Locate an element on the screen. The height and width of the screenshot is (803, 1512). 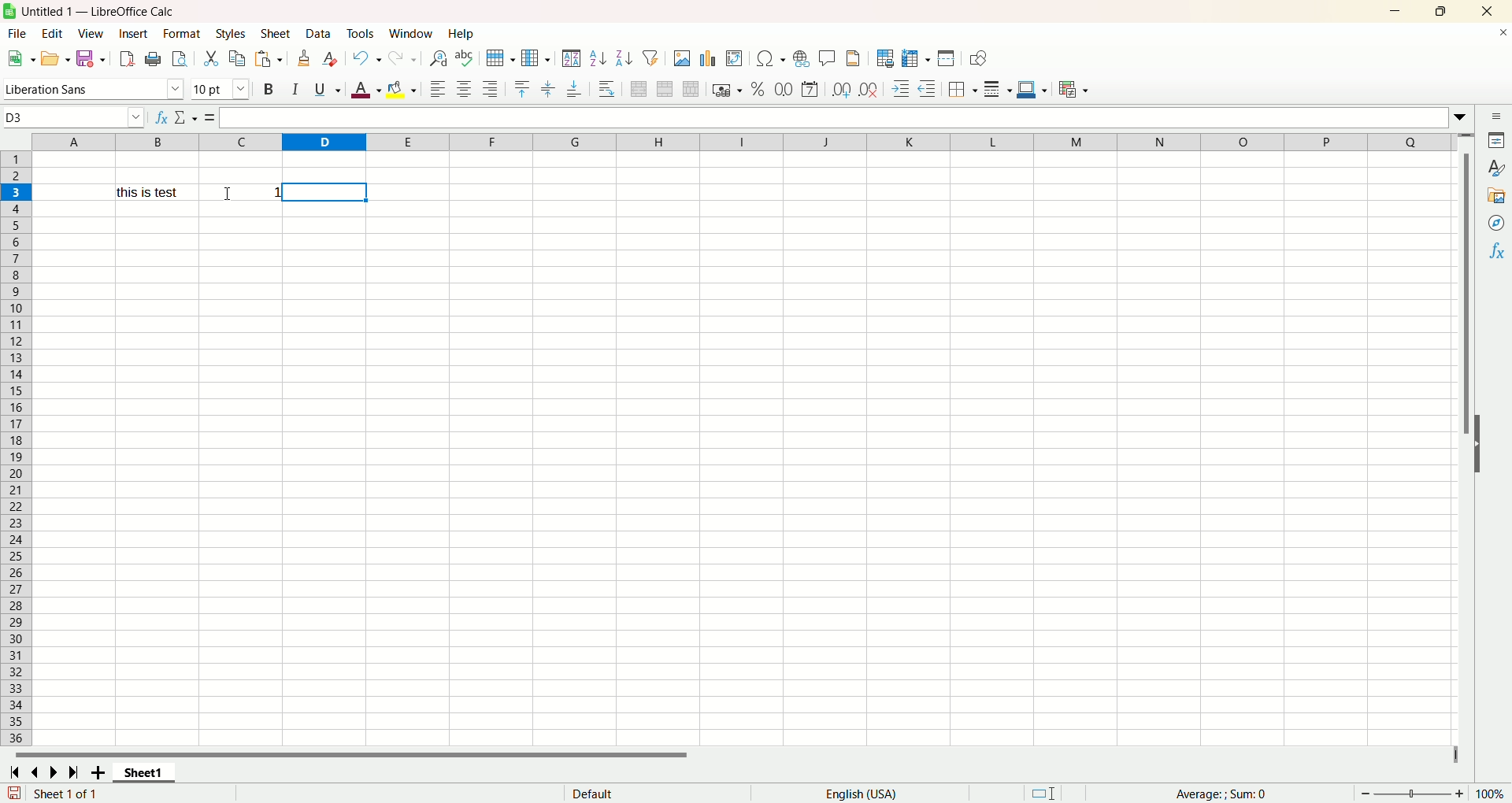
standard selection is located at coordinates (1045, 792).